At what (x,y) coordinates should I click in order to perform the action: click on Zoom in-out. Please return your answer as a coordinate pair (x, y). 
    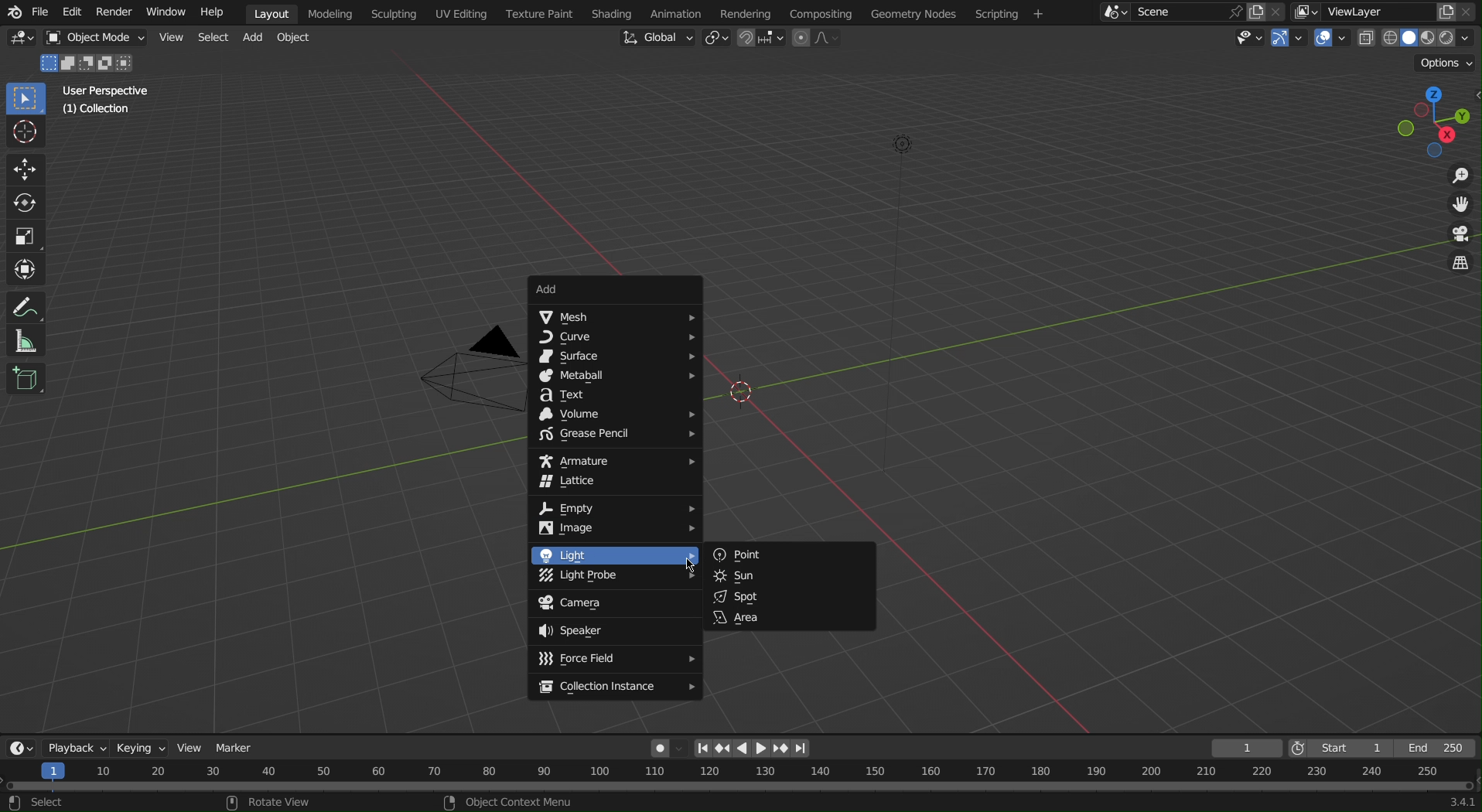
    Looking at the image, I should click on (1456, 176).